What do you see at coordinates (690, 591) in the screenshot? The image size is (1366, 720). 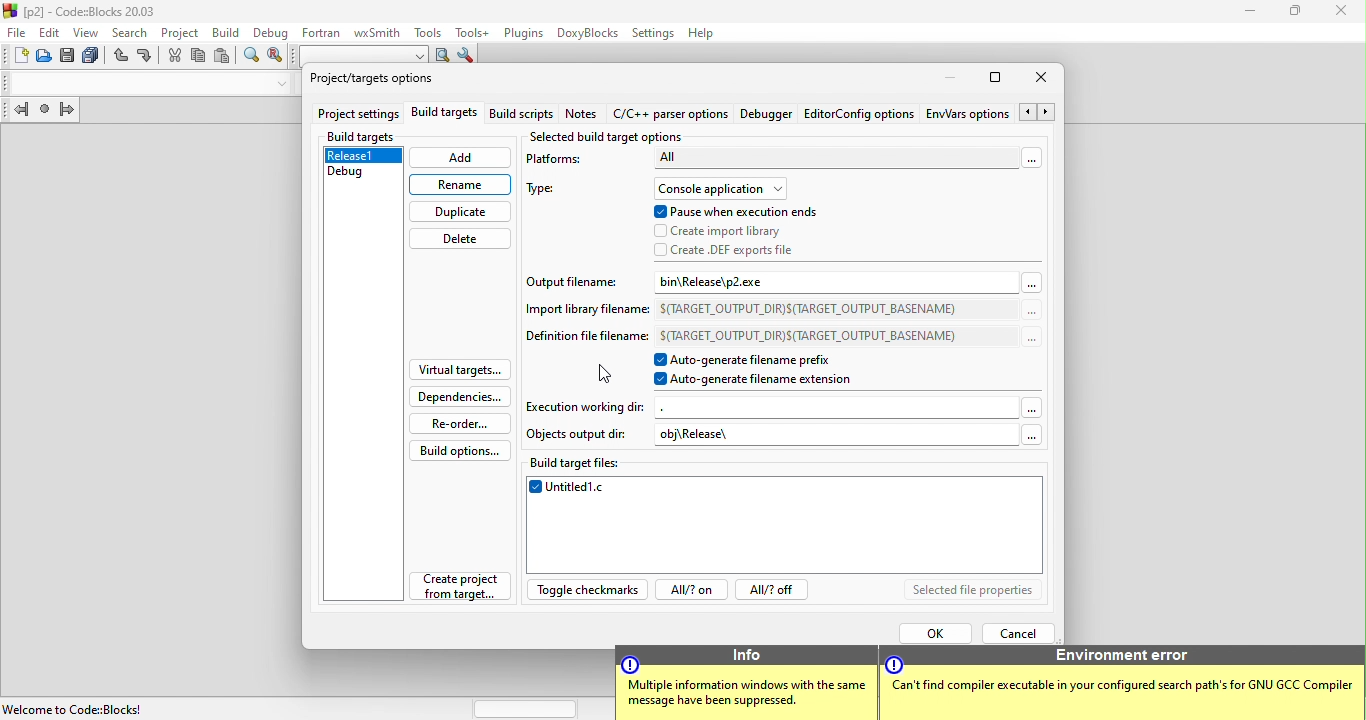 I see `all?on` at bounding box center [690, 591].